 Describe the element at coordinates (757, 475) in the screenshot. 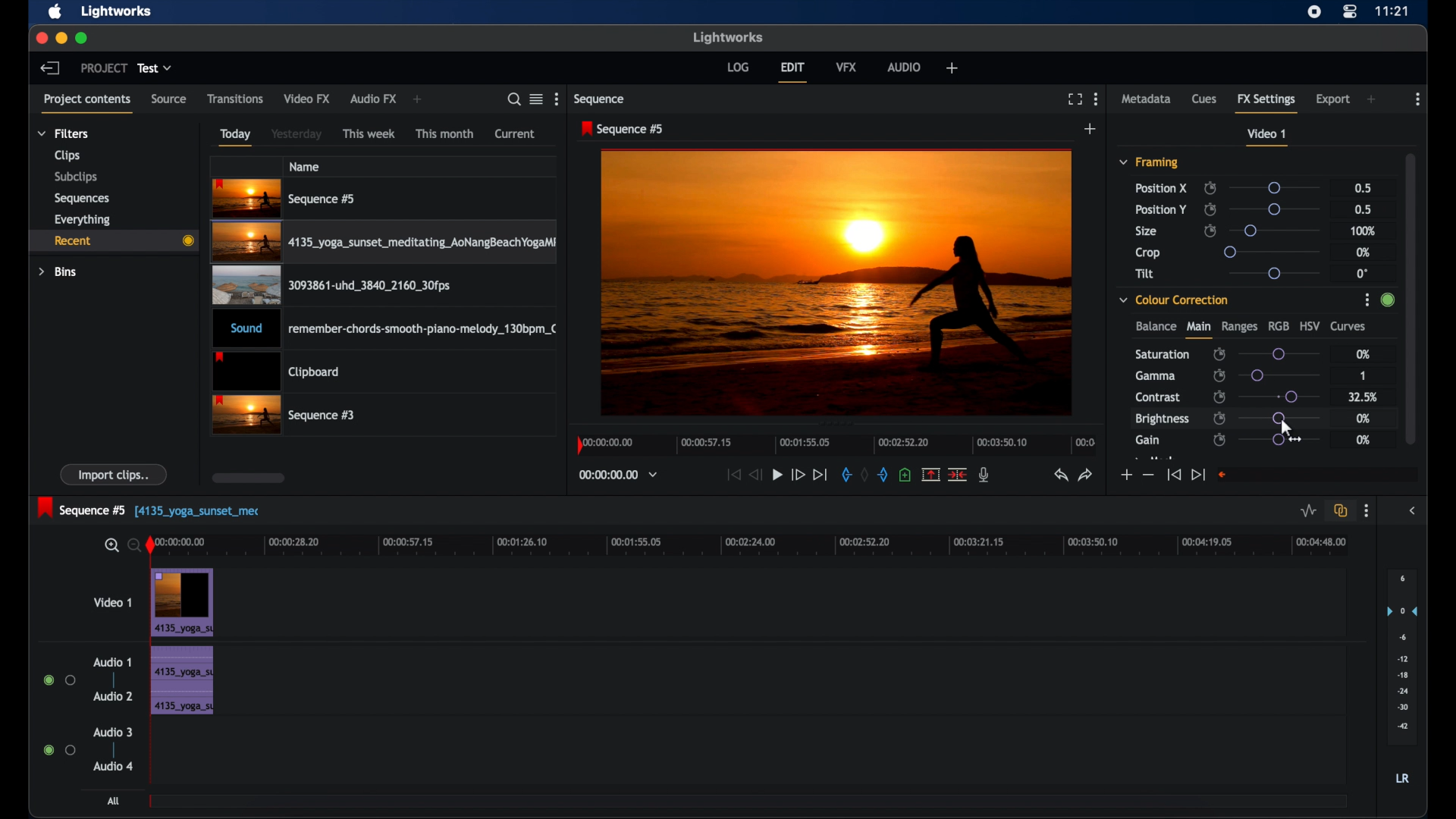

I see `rewind` at that location.